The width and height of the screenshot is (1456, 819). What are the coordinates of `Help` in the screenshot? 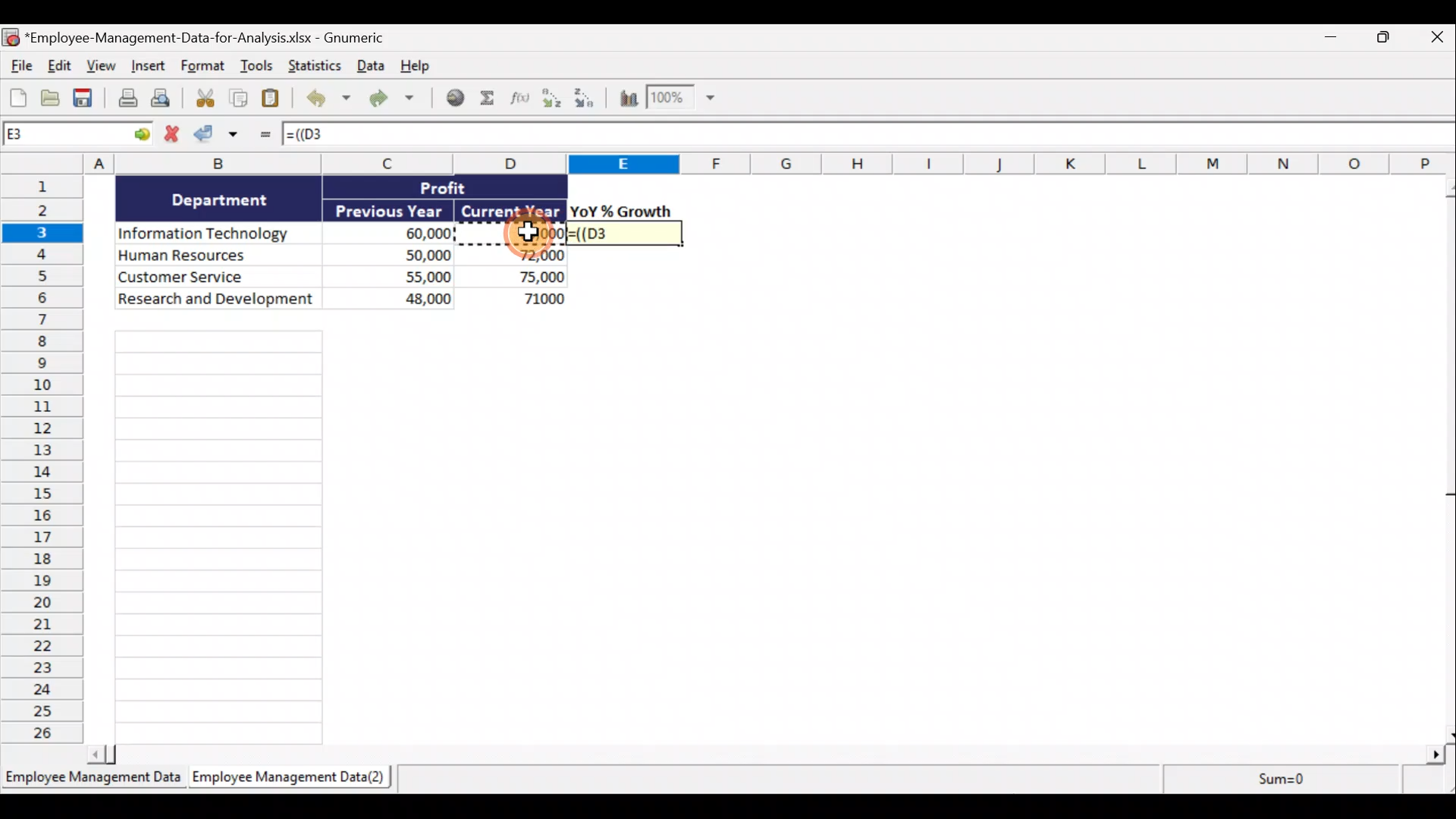 It's located at (415, 67).